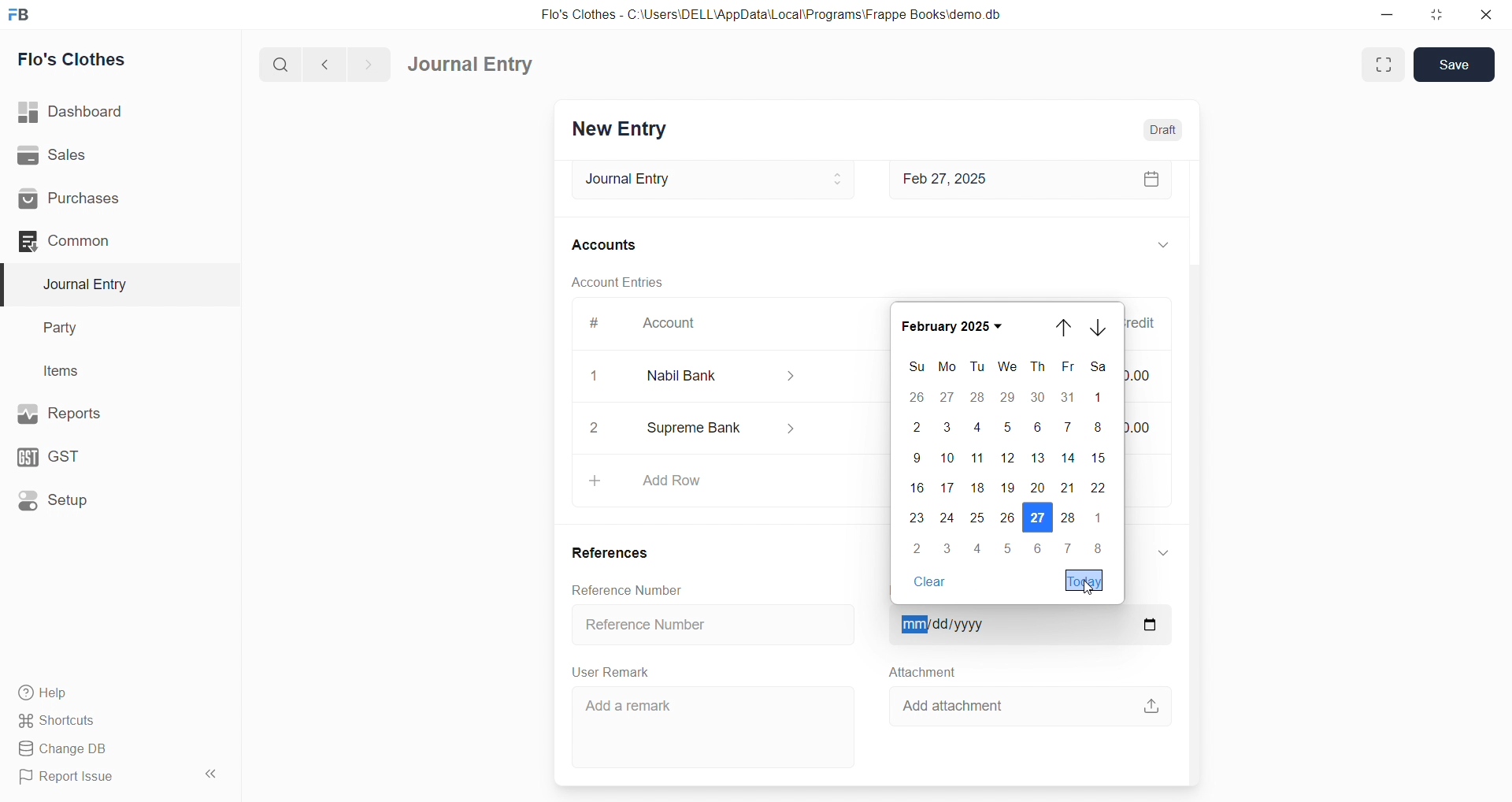 This screenshot has height=802, width=1512. Describe the element at coordinates (1036, 397) in the screenshot. I see `30` at that location.